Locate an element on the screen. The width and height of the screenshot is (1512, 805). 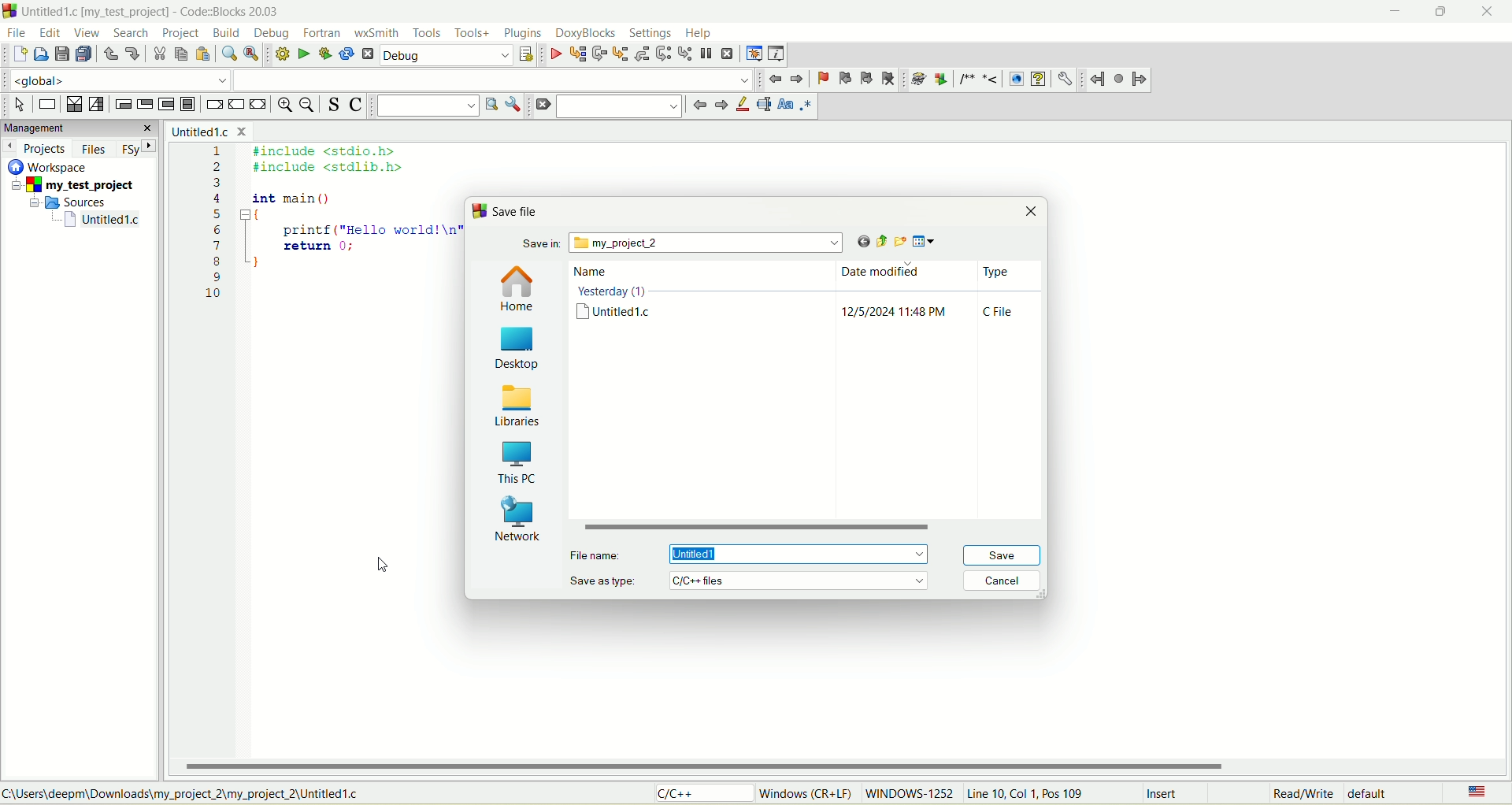
jump back is located at coordinates (1097, 80).